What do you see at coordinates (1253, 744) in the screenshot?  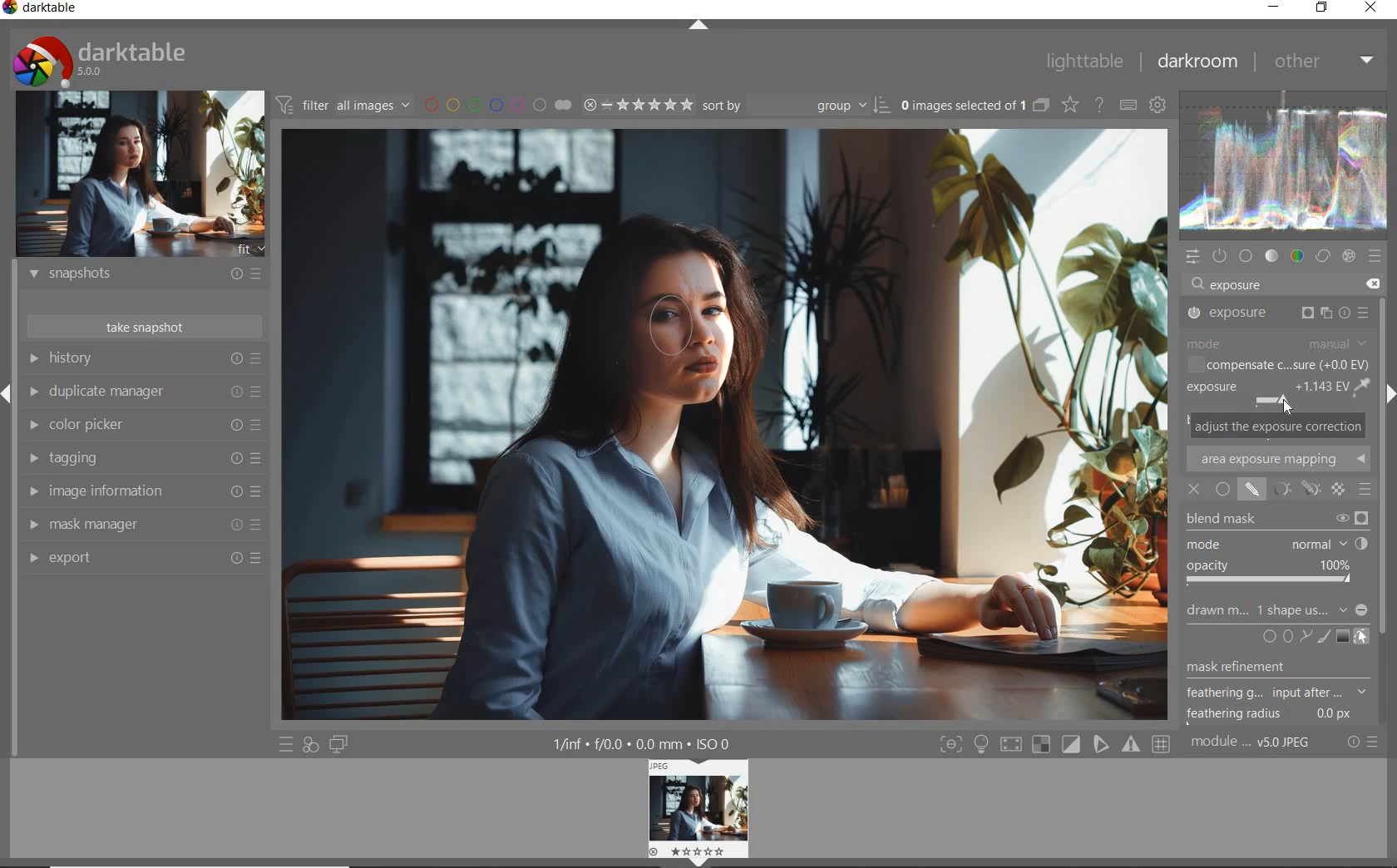 I see `module` at bounding box center [1253, 744].